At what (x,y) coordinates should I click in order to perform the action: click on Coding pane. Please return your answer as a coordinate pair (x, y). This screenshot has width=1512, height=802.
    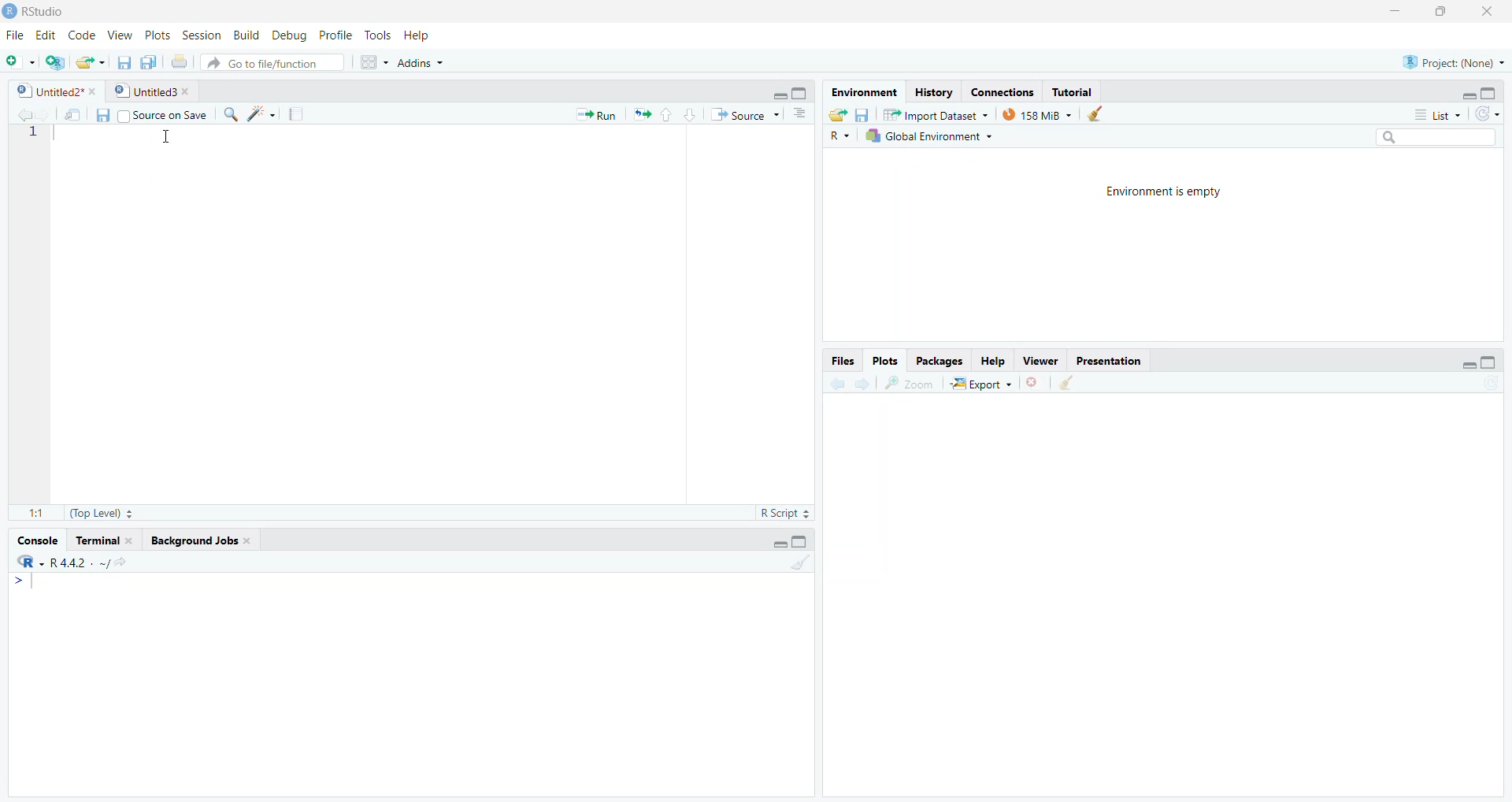
    Looking at the image, I should click on (409, 323).